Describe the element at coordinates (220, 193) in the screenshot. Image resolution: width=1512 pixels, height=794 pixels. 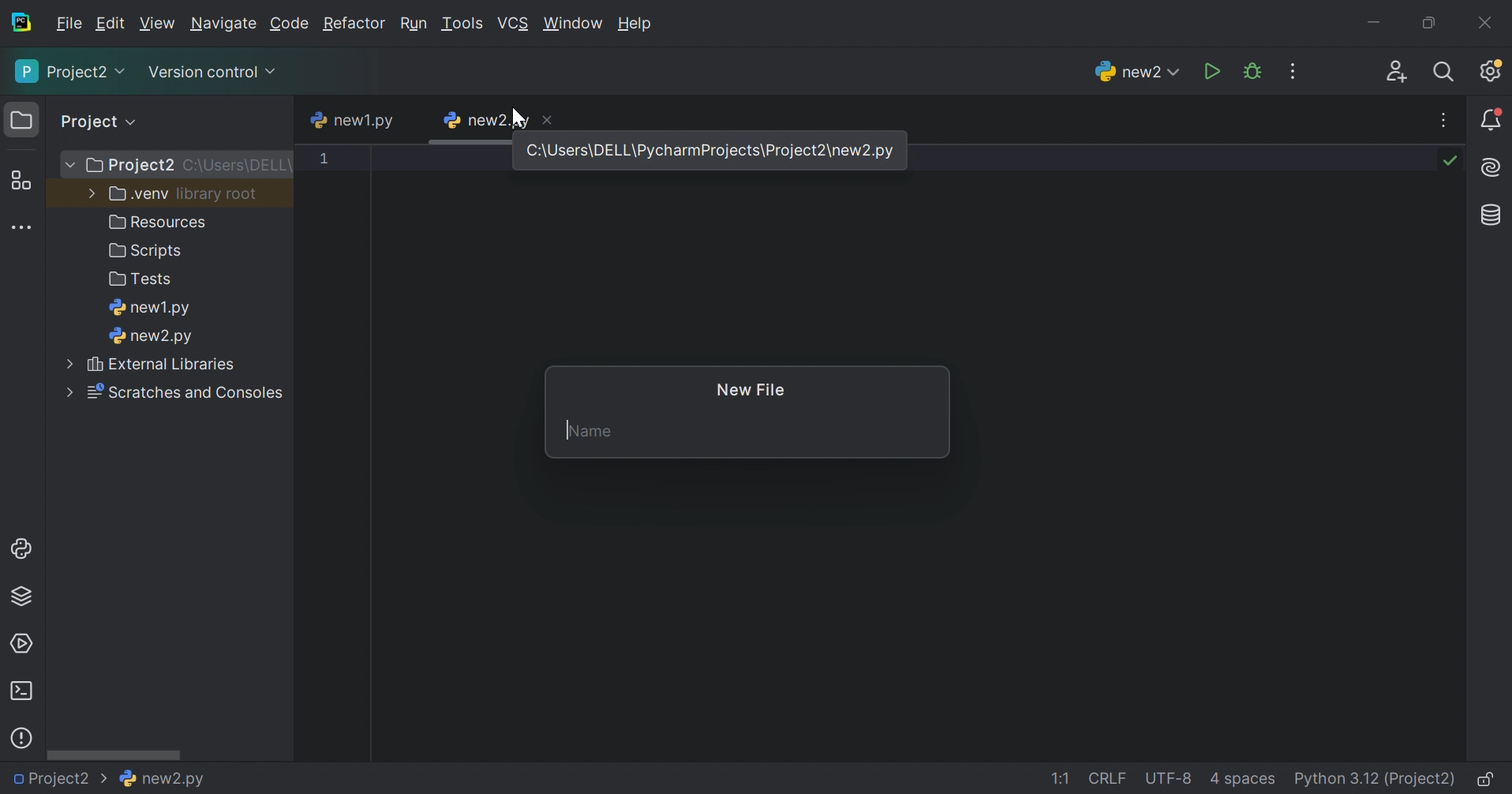
I see `library root` at that location.